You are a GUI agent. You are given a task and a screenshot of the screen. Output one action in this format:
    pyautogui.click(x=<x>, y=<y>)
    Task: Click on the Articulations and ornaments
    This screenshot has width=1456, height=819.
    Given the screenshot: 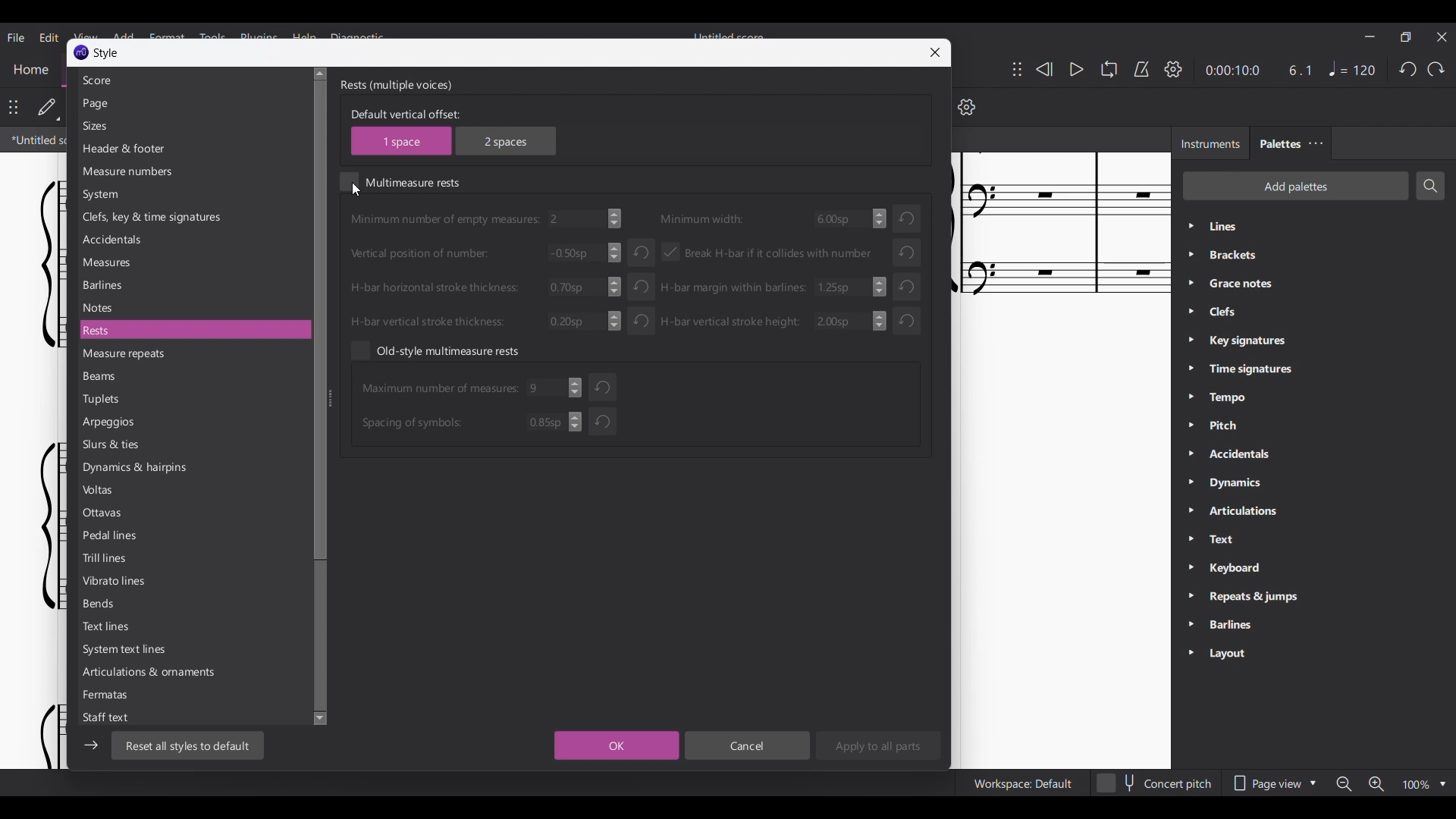 What is the action you would take?
    pyautogui.click(x=193, y=673)
    